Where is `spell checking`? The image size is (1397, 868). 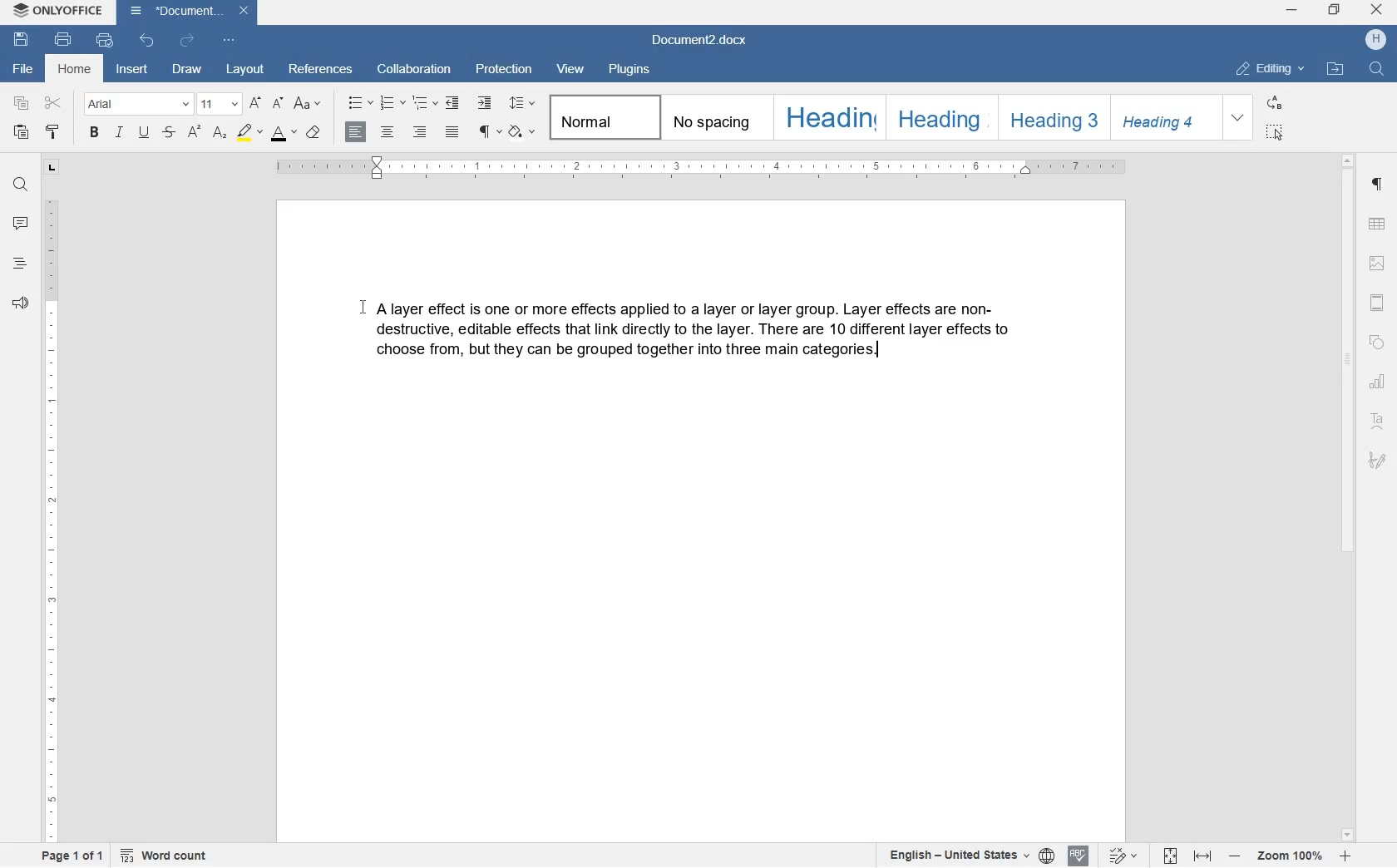 spell checking is located at coordinates (1078, 856).